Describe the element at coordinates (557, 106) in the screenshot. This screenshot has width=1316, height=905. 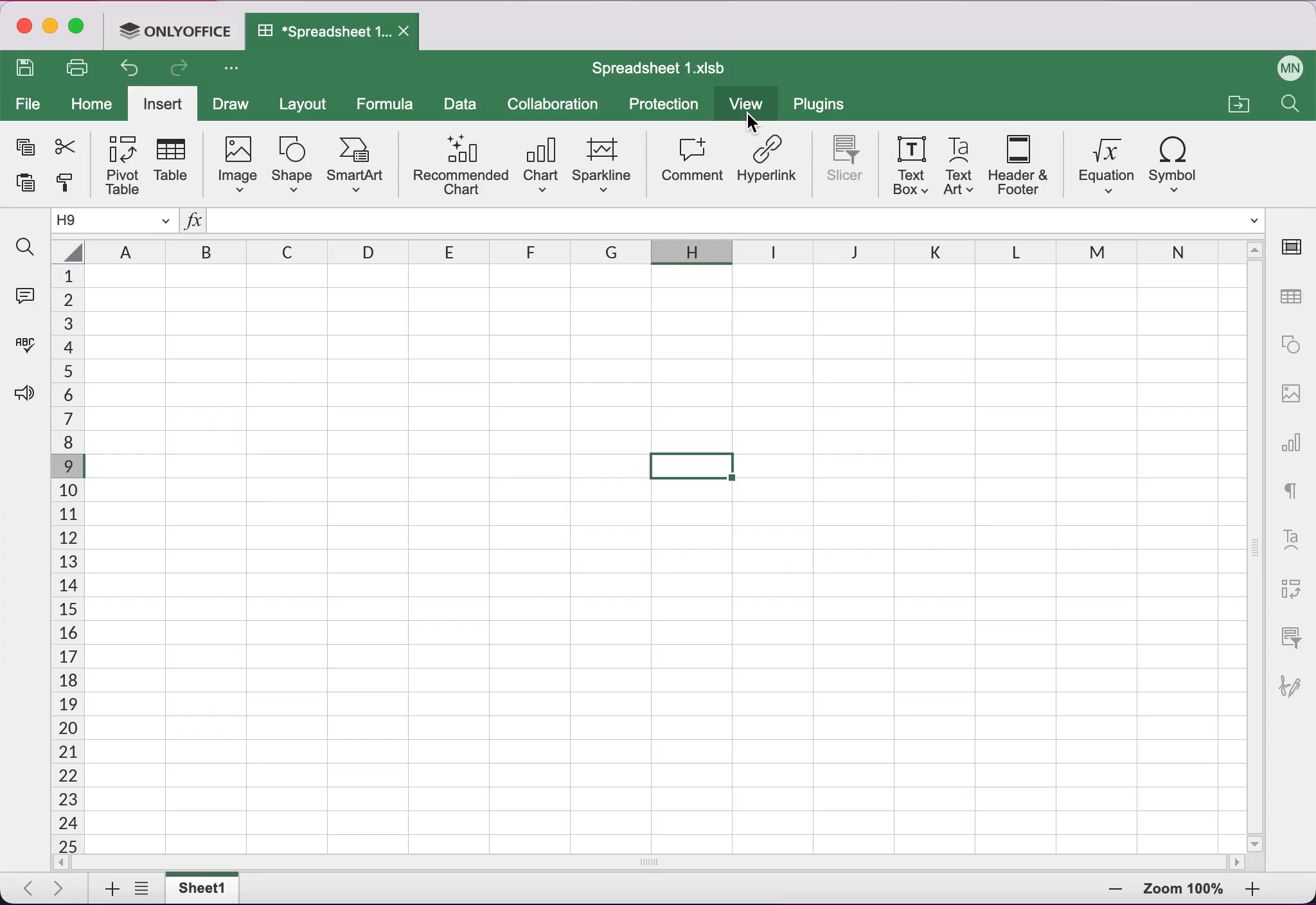
I see `collaboration` at that location.